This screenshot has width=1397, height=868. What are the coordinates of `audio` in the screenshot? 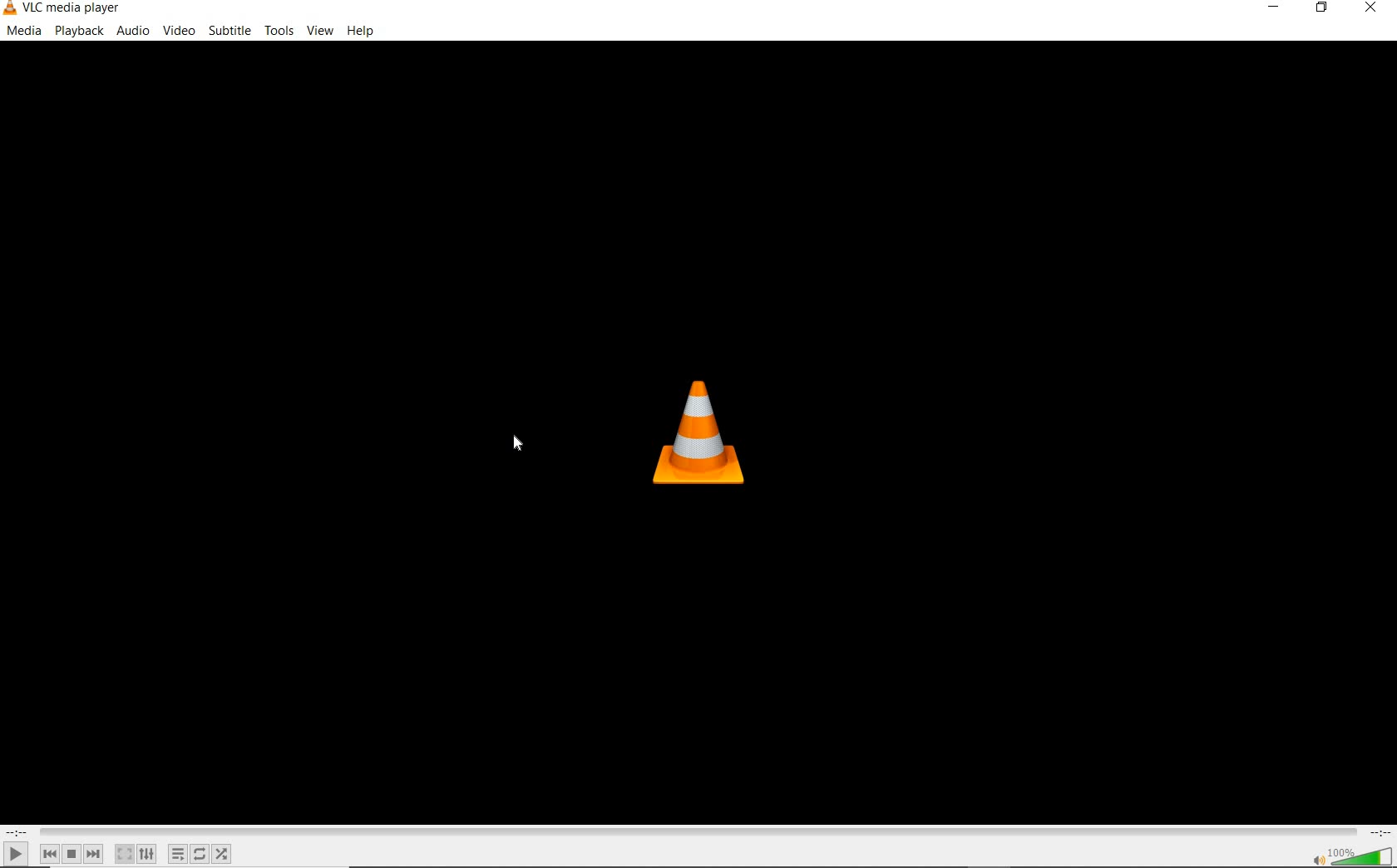 It's located at (135, 31).